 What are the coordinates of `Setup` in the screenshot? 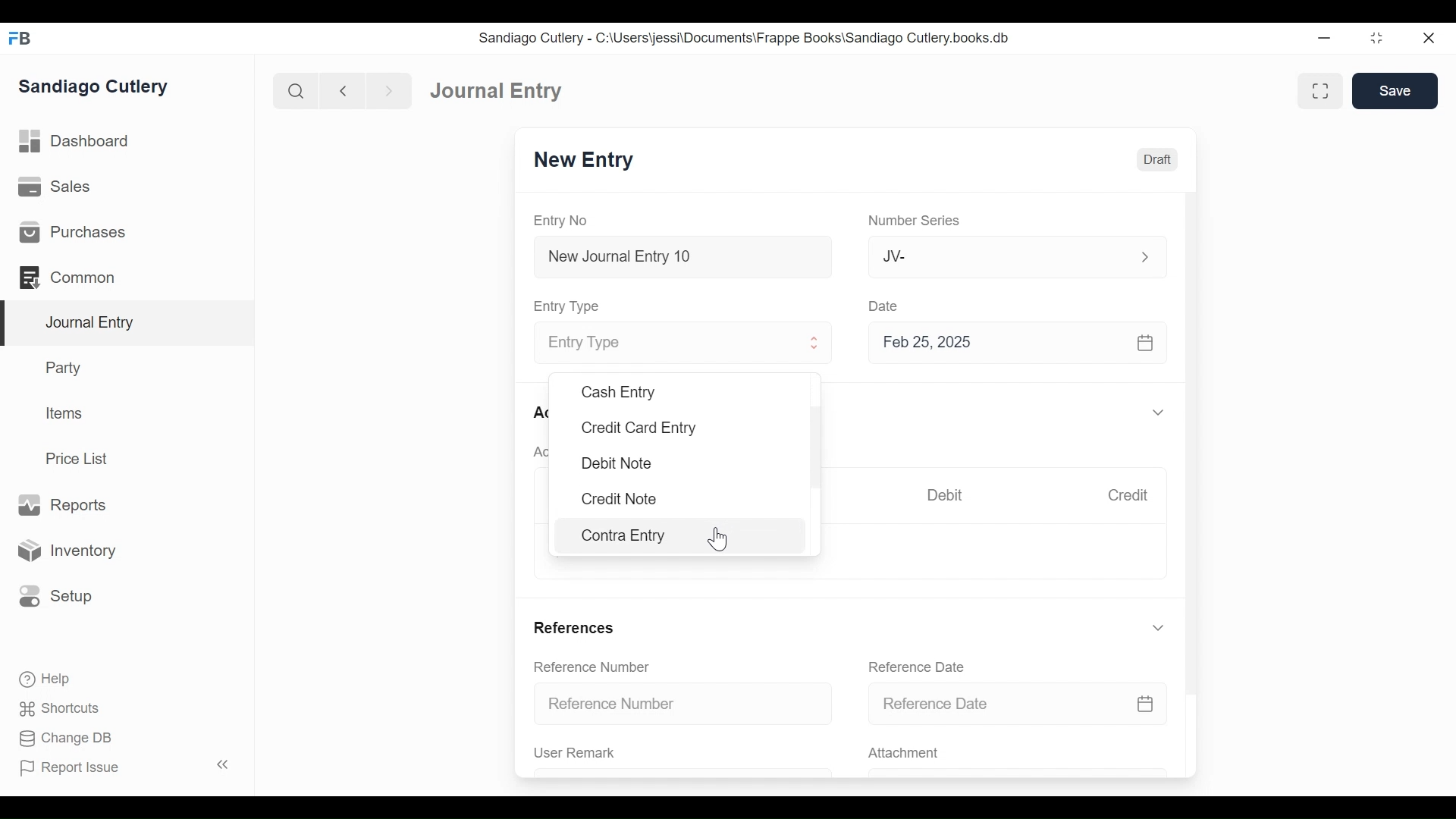 It's located at (56, 595).